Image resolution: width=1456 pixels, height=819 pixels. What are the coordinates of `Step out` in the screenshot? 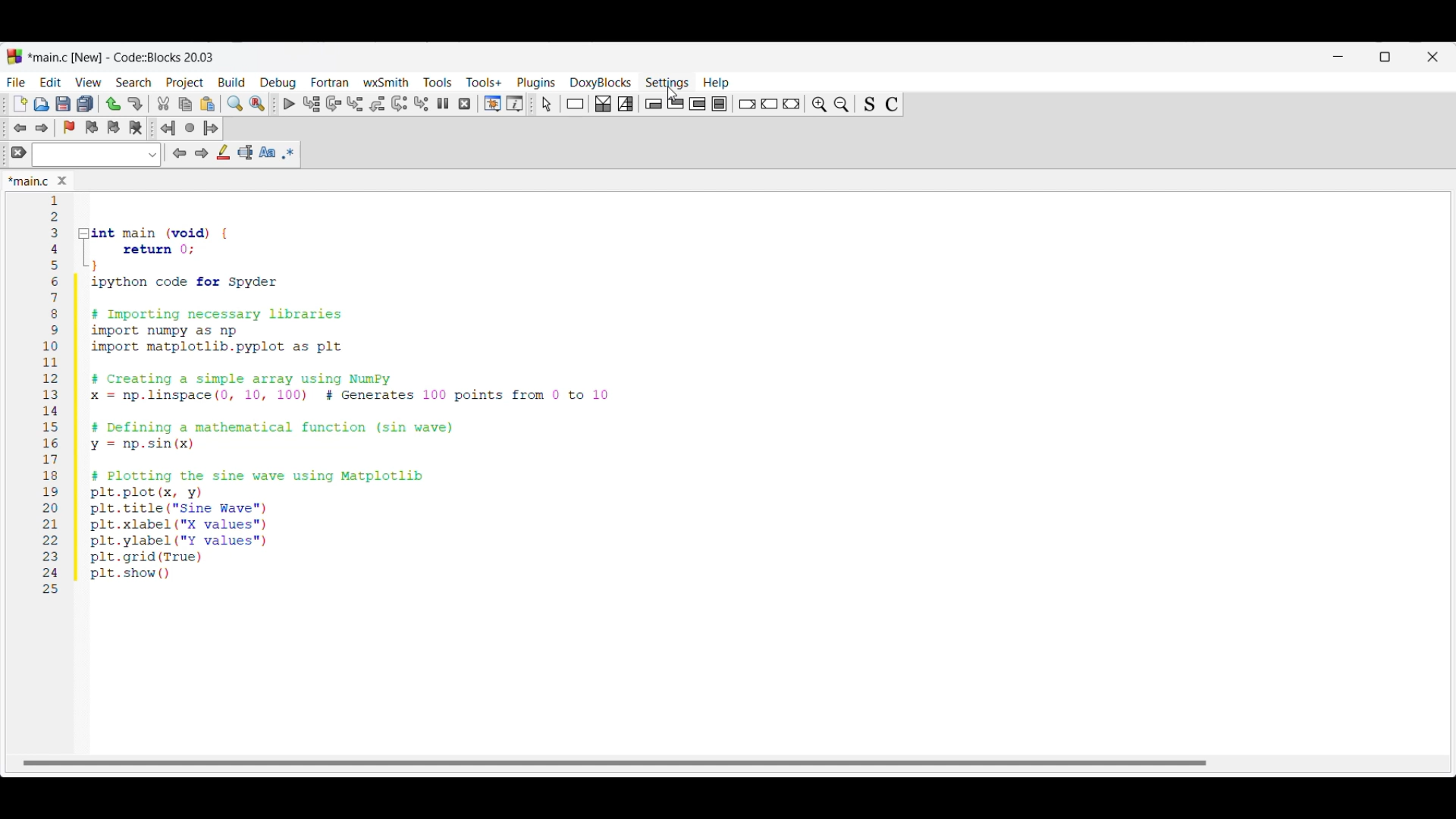 It's located at (378, 104).